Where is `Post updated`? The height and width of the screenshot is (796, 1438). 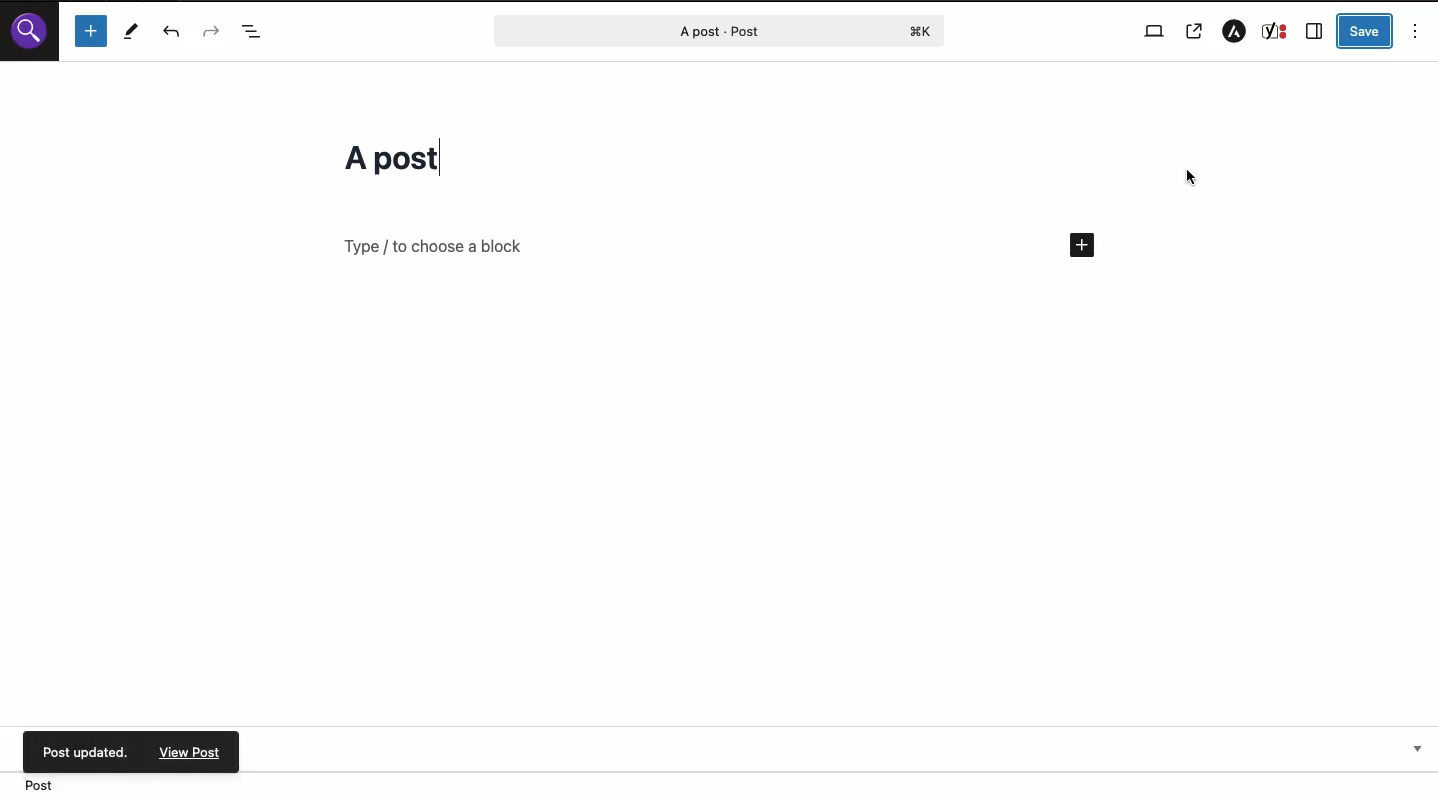
Post updated is located at coordinates (84, 753).